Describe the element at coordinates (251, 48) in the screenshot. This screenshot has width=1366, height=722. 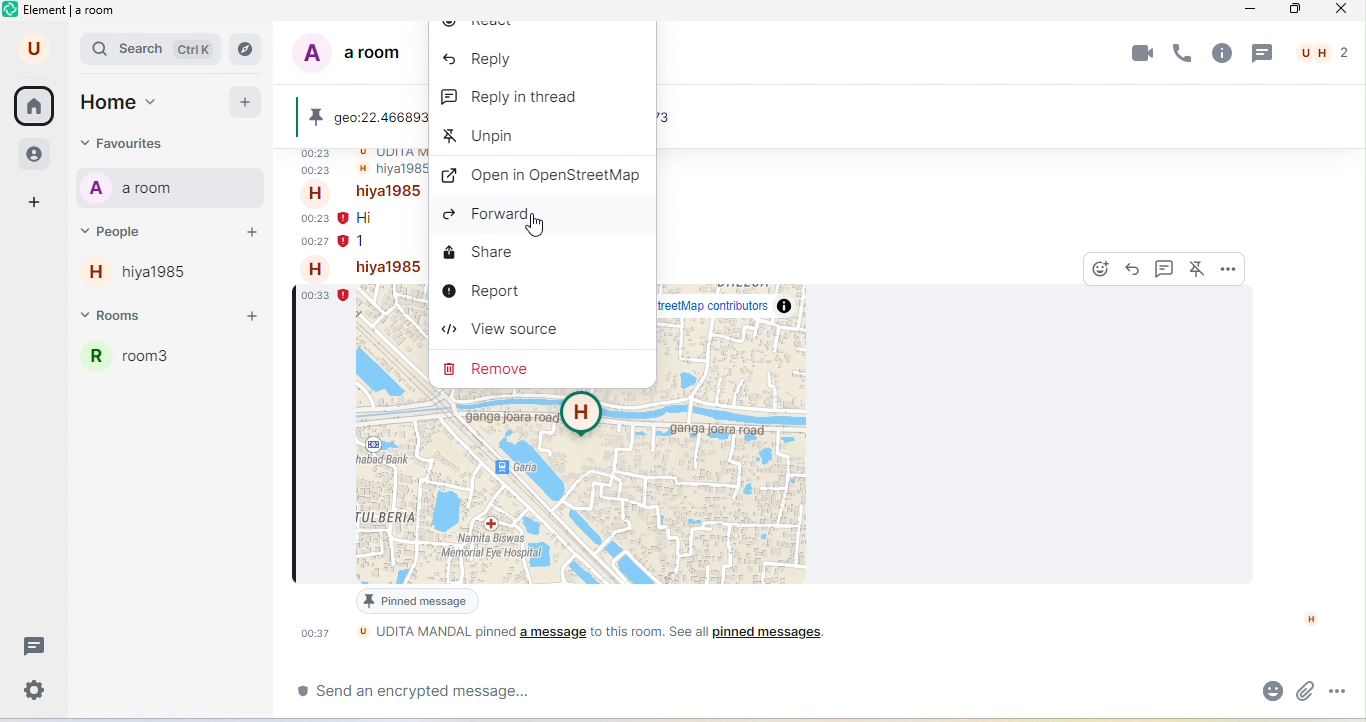
I see `navigator` at that location.